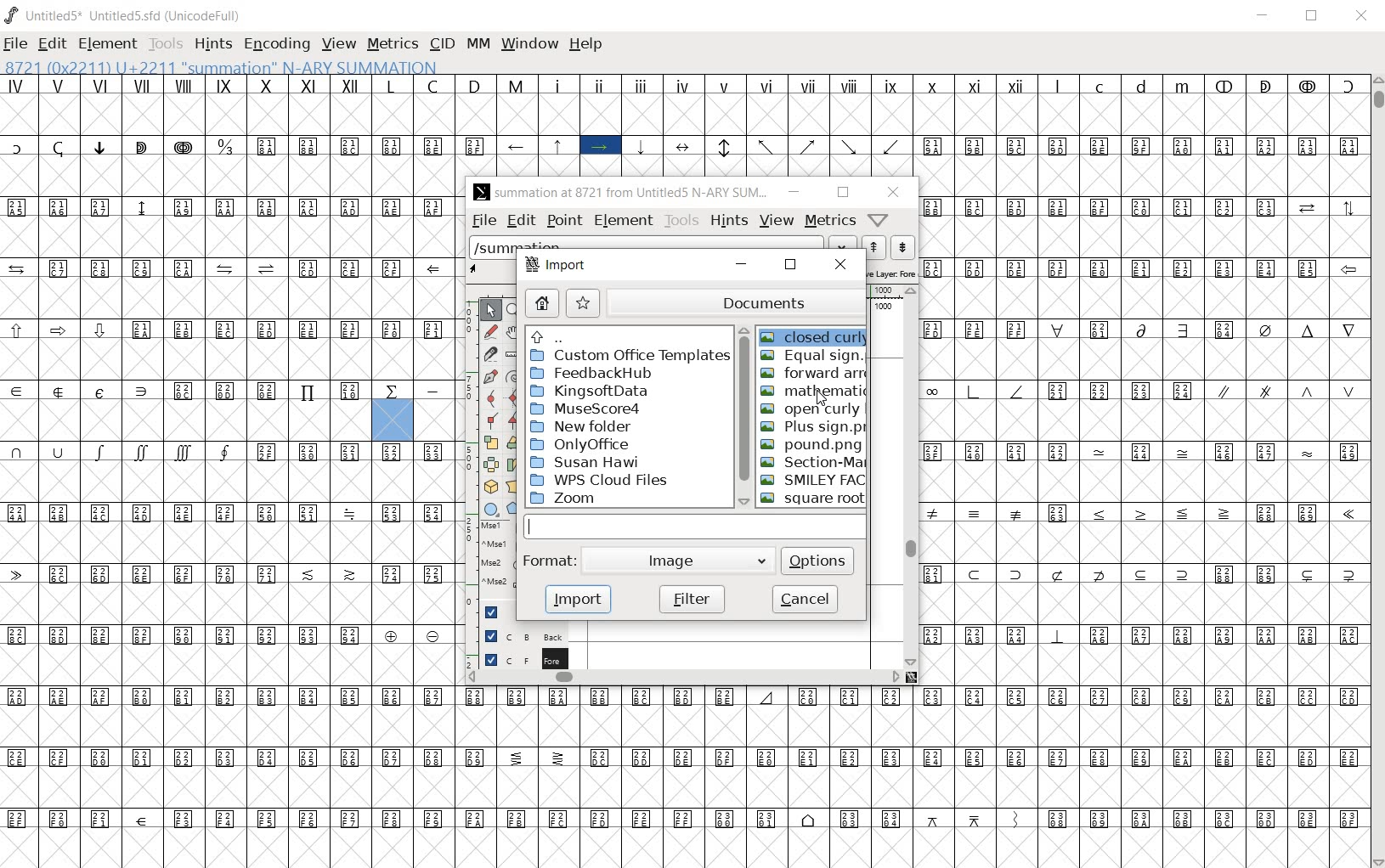 The height and width of the screenshot is (868, 1385). What do you see at coordinates (1362, 16) in the screenshot?
I see `CLOSE` at bounding box center [1362, 16].